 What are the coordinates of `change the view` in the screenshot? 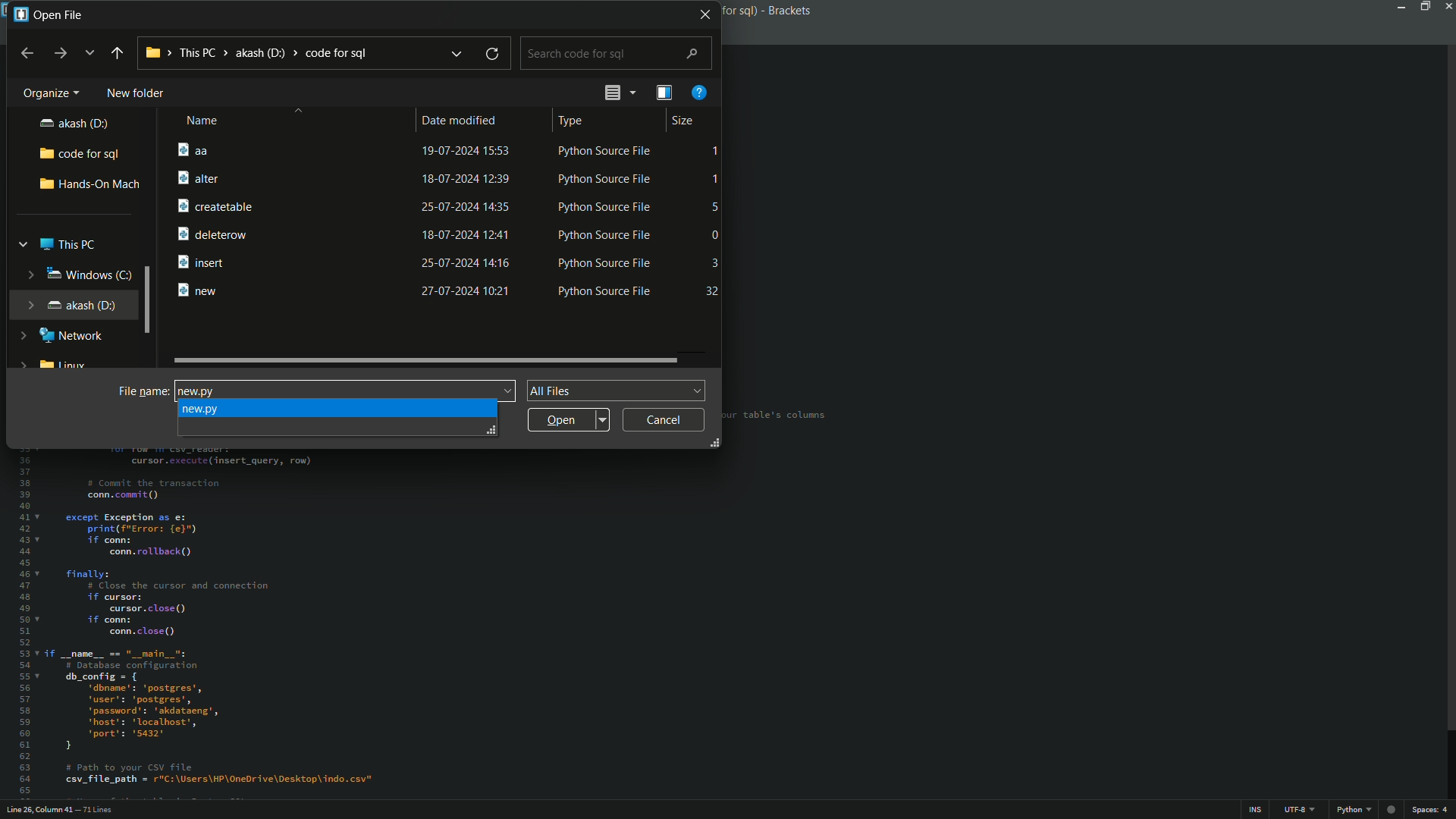 It's located at (615, 93).